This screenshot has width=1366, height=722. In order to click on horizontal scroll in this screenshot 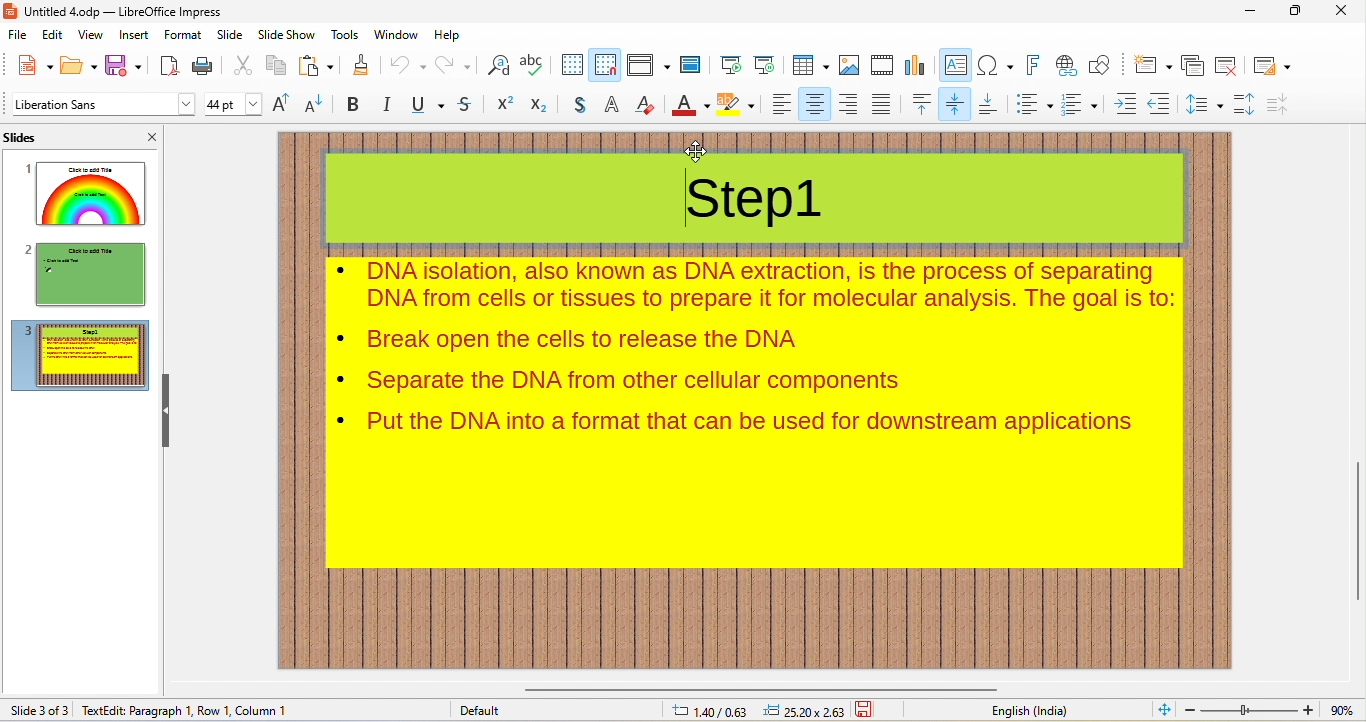, I will do `click(782, 690)`.